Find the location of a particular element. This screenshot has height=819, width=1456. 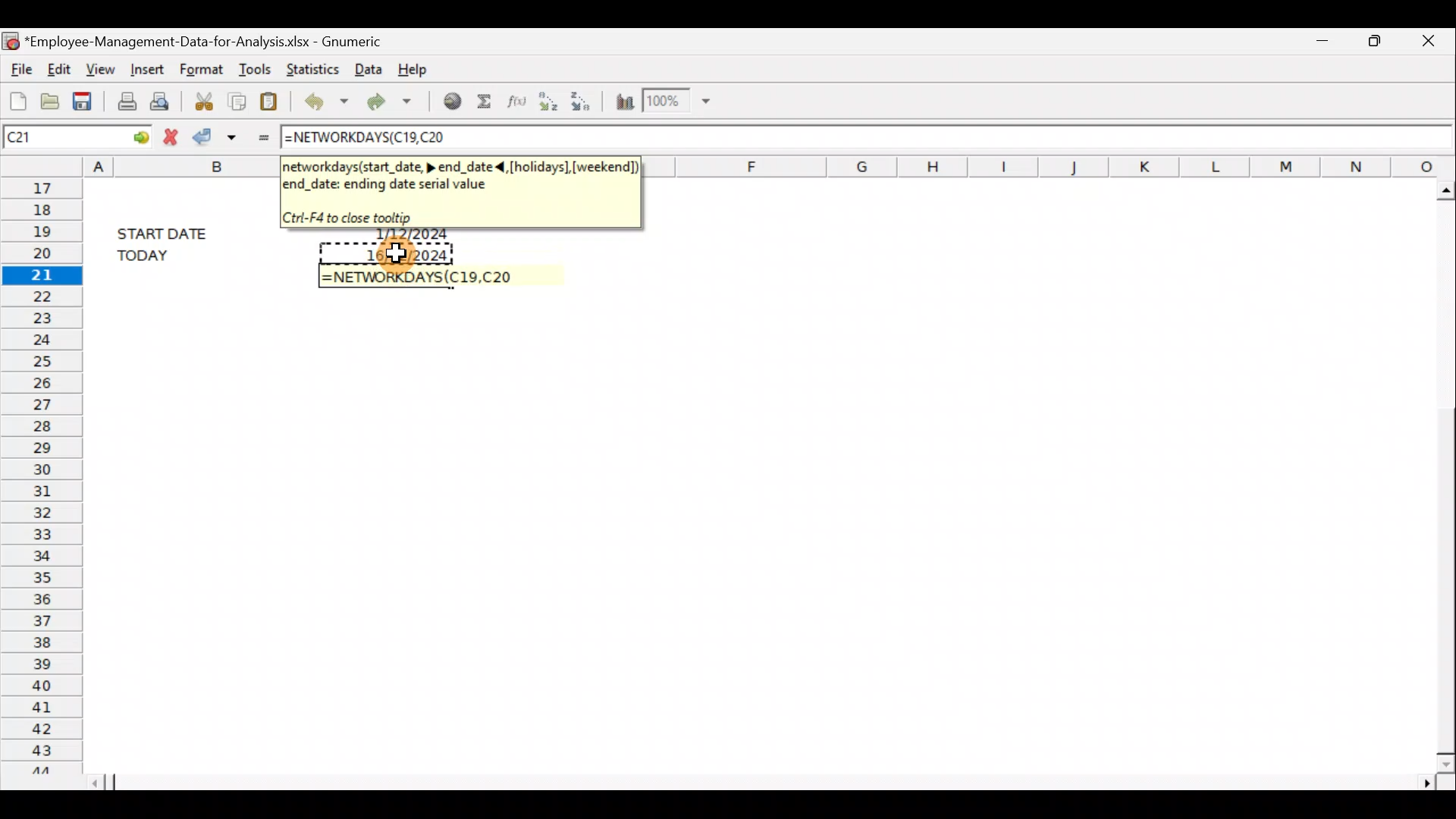

Help is located at coordinates (423, 68).